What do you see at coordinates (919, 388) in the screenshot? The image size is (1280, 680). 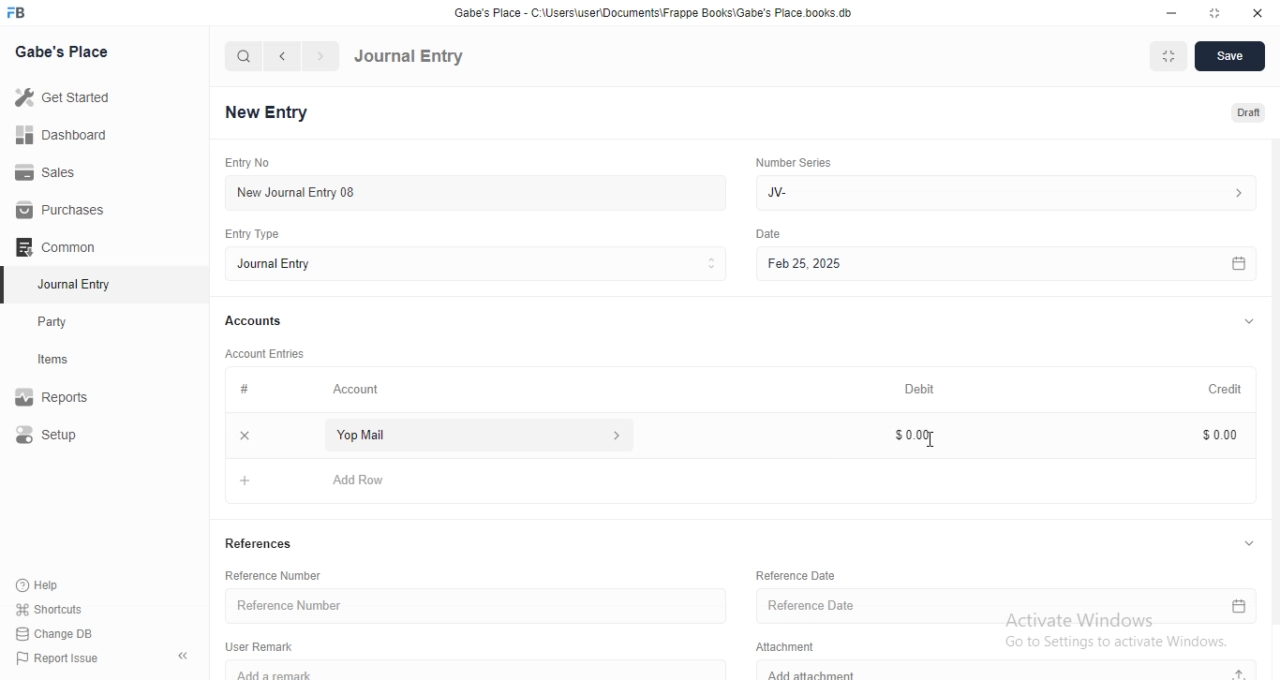 I see `Debit` at bounding box center [919, 388].